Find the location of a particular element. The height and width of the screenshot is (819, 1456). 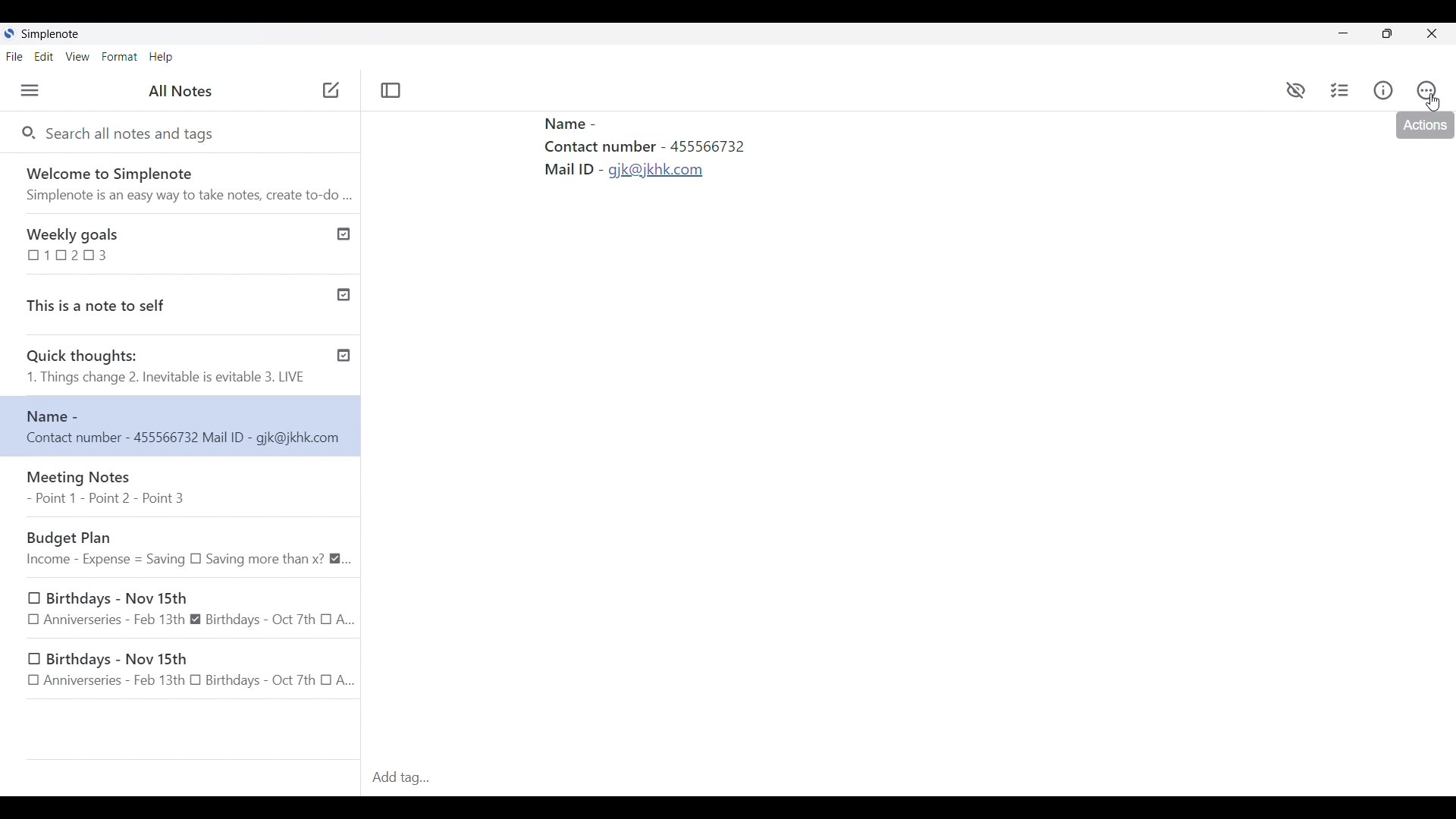

Software name is located at coordinates (50, 34).